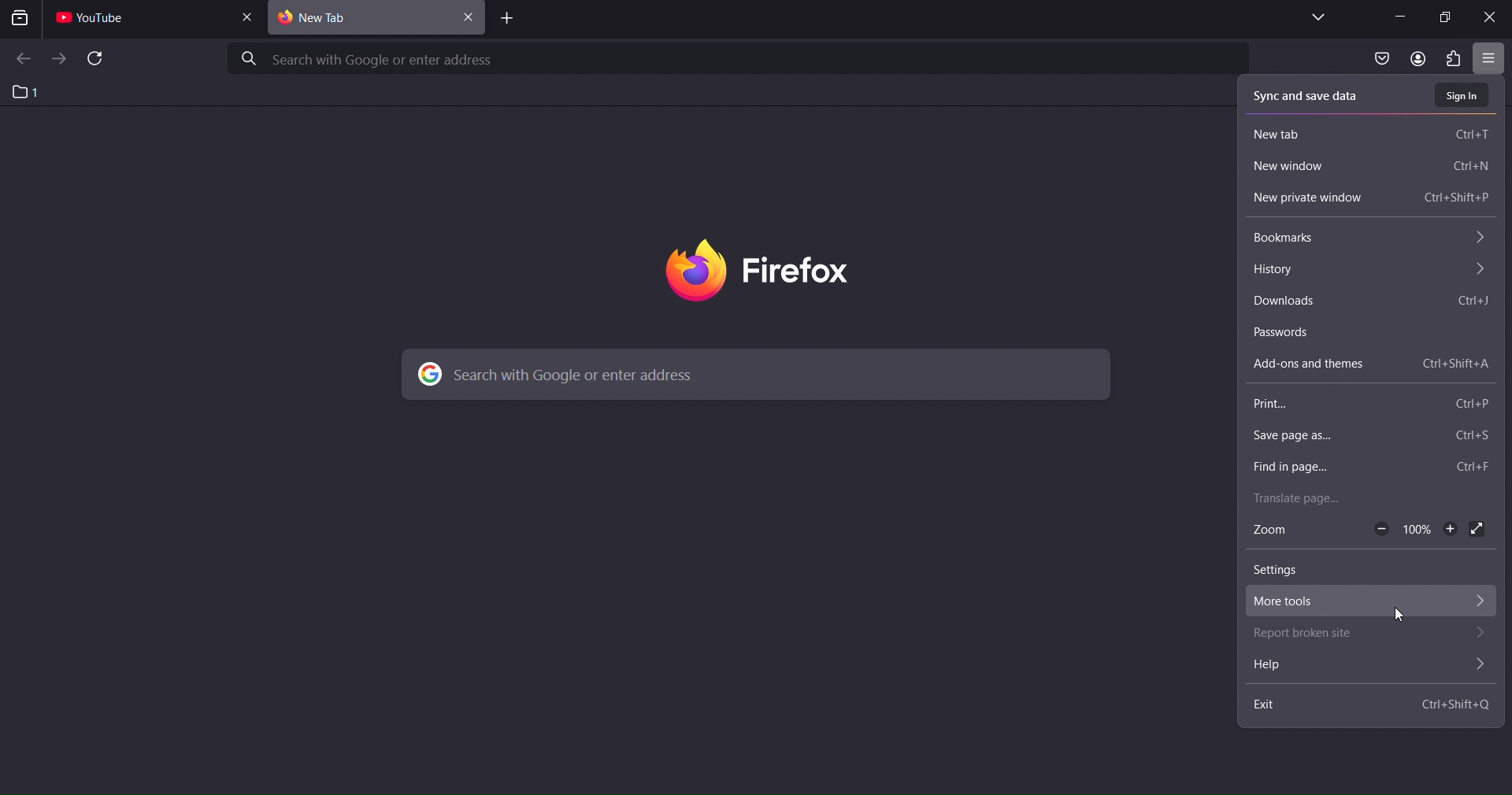 This screenshot has height=795, width=1512. I want to click on new private window, so click(1324, 198).